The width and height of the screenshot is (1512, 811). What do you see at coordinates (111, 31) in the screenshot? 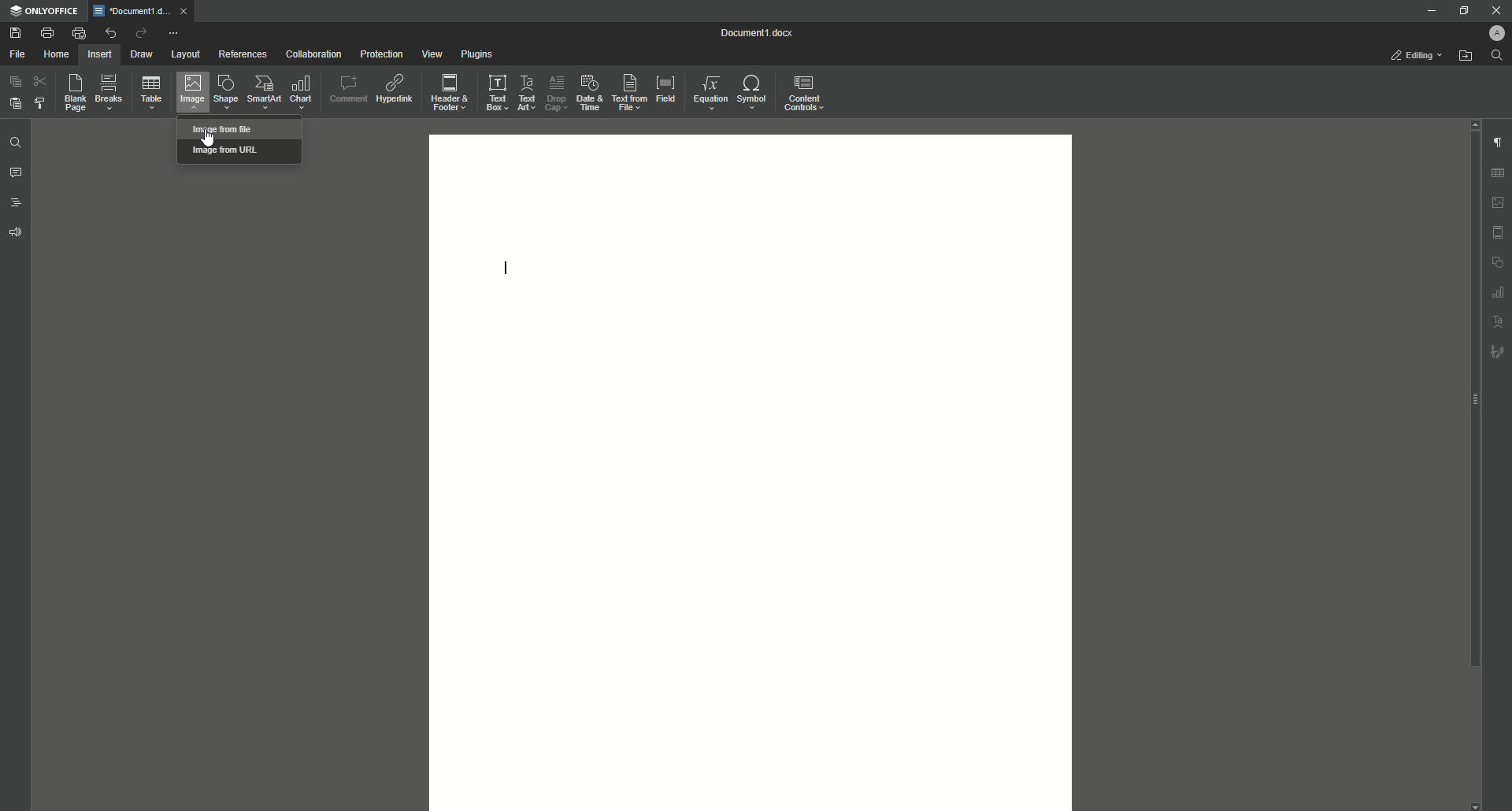
I see `Undo` at bounding box center [111, 31].